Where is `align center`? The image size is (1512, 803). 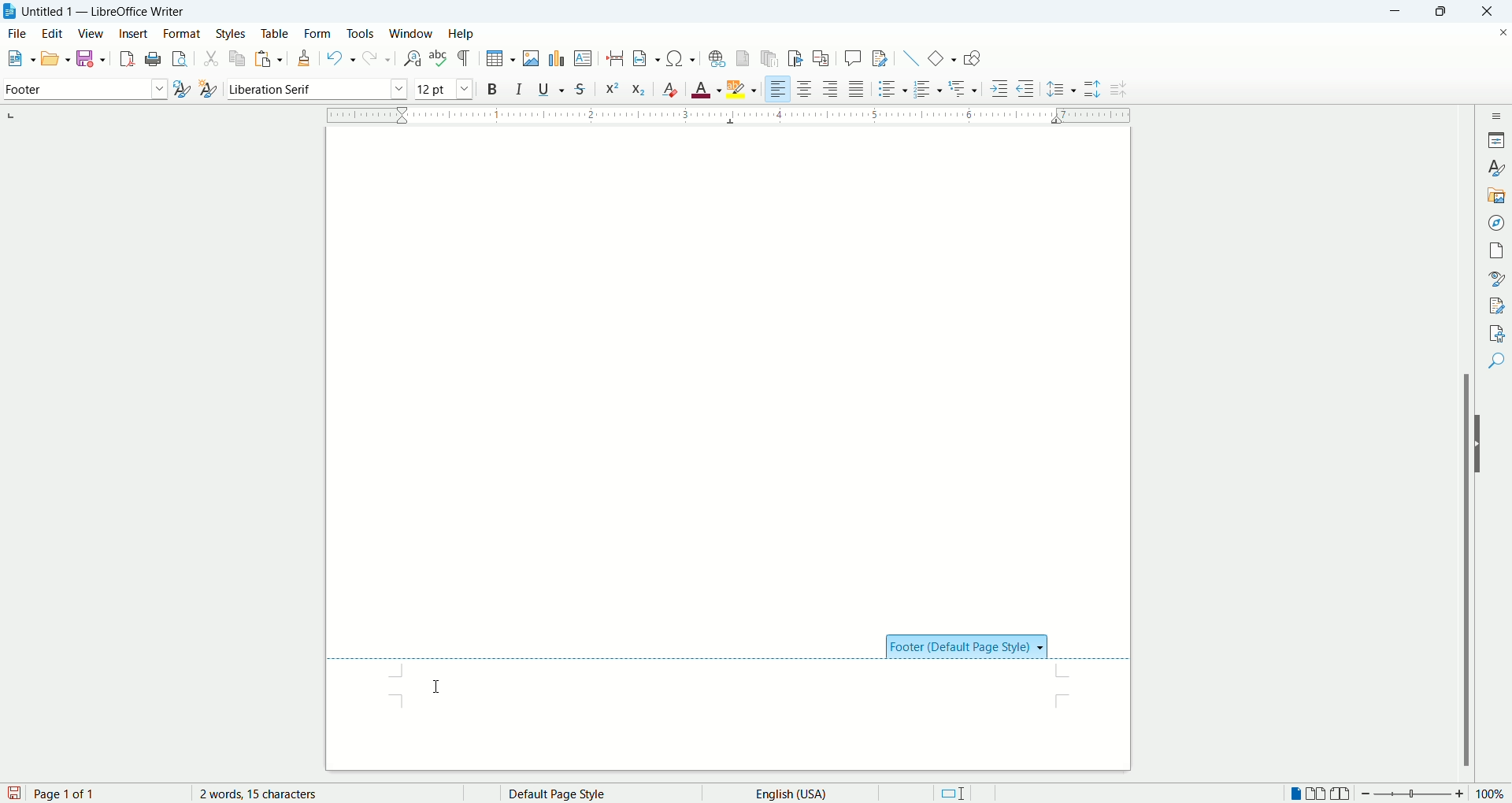 align center is located at coordinates (809, 90).